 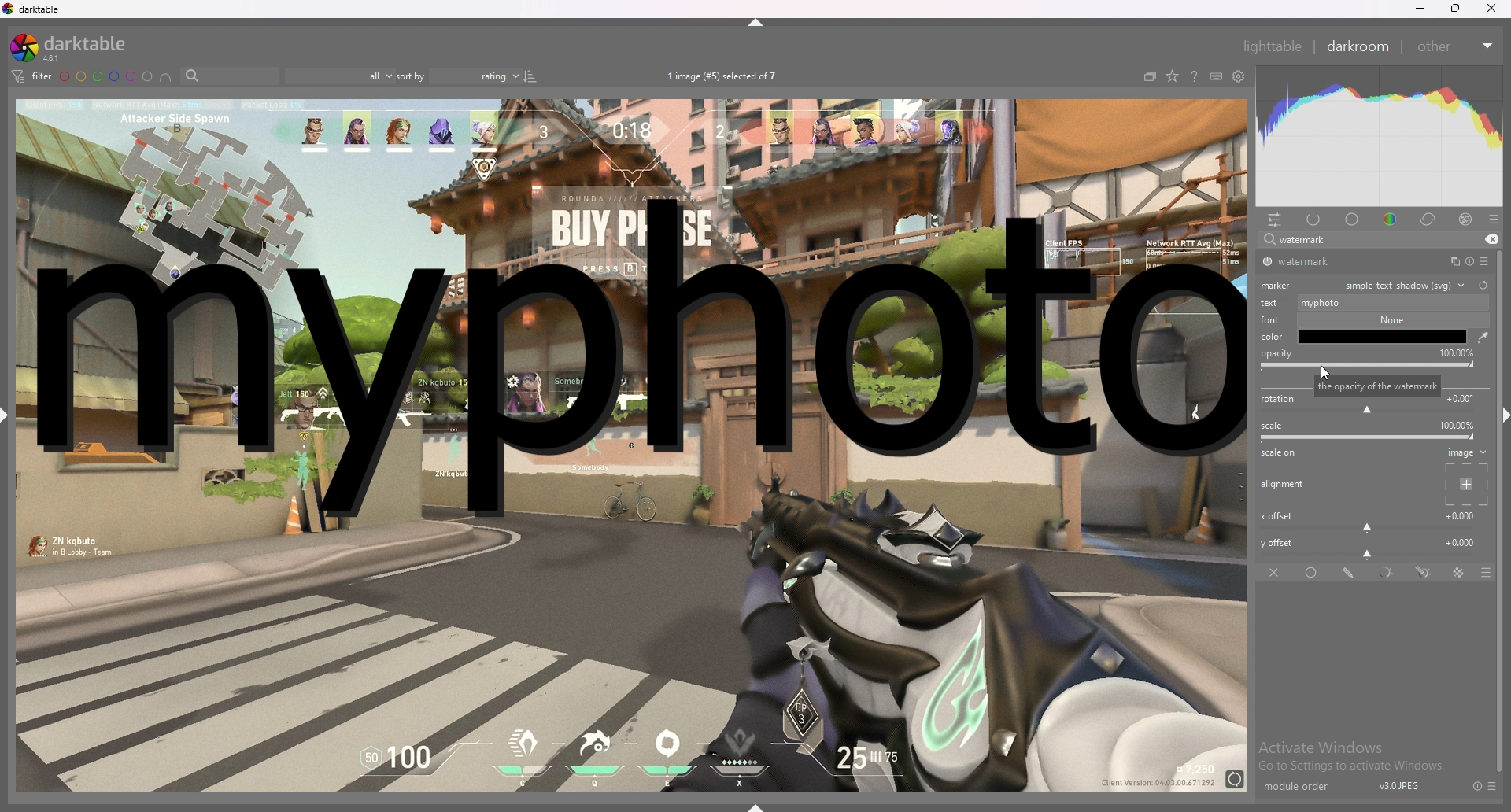 I want to click on collapse grouped image, so click(x=1150, y=76).